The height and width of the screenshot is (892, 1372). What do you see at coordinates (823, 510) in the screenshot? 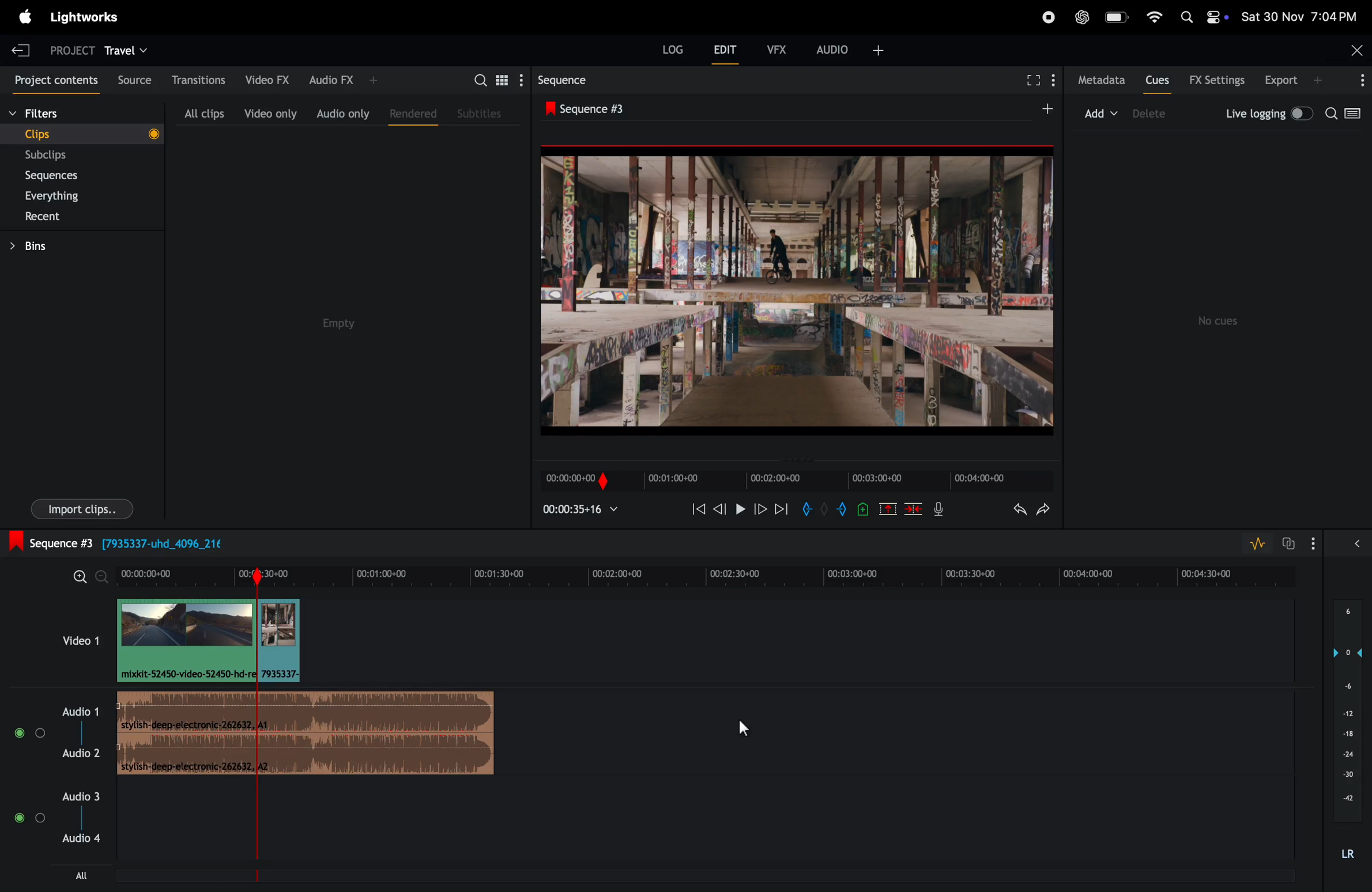
I see `` at bounding box center [823, 510].